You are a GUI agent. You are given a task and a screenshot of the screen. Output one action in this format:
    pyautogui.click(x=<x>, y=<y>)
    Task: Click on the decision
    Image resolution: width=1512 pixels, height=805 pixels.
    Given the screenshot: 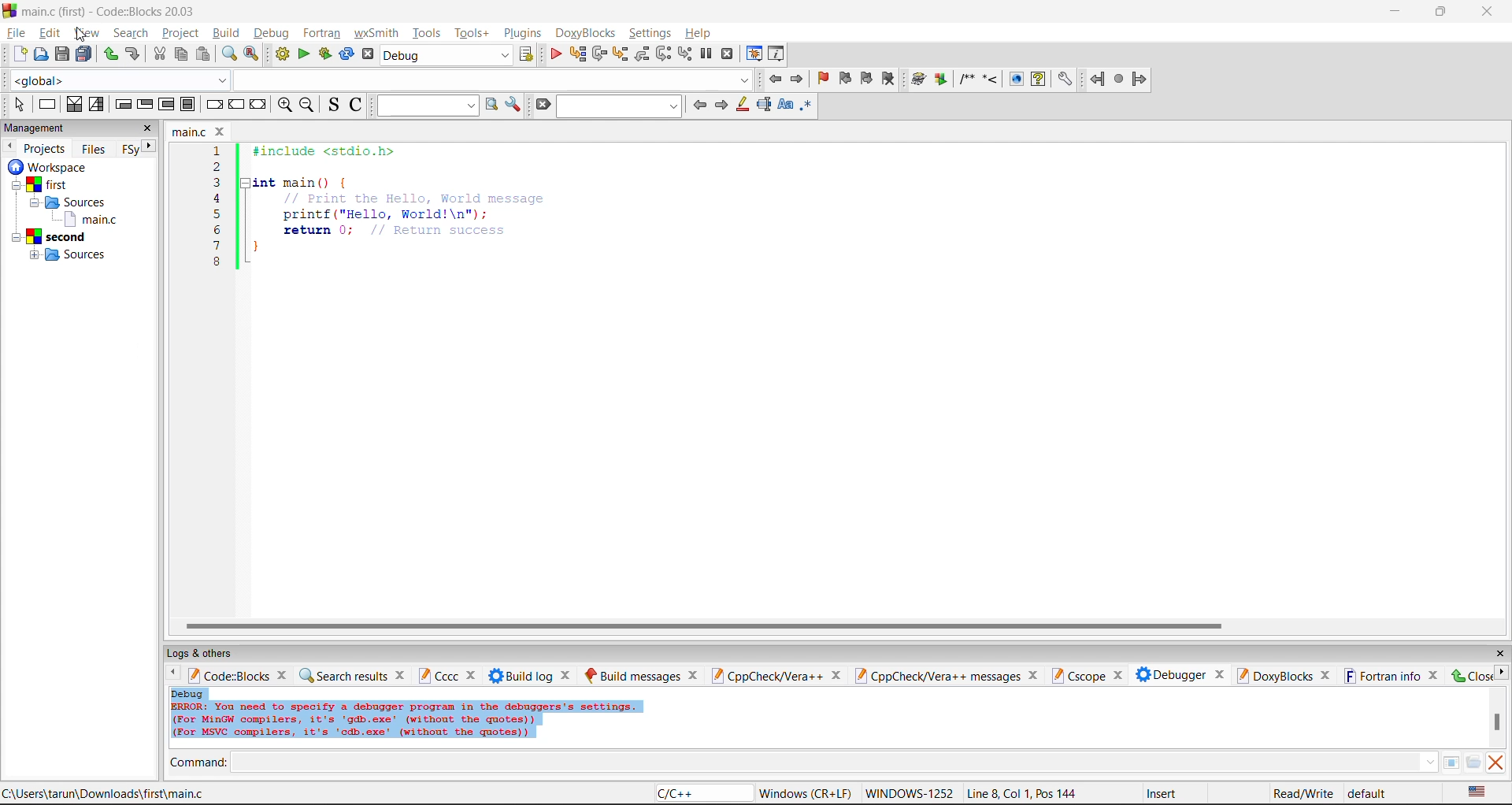 What is the action you would take?
    pyautogui.click(x=72, y=105)
    